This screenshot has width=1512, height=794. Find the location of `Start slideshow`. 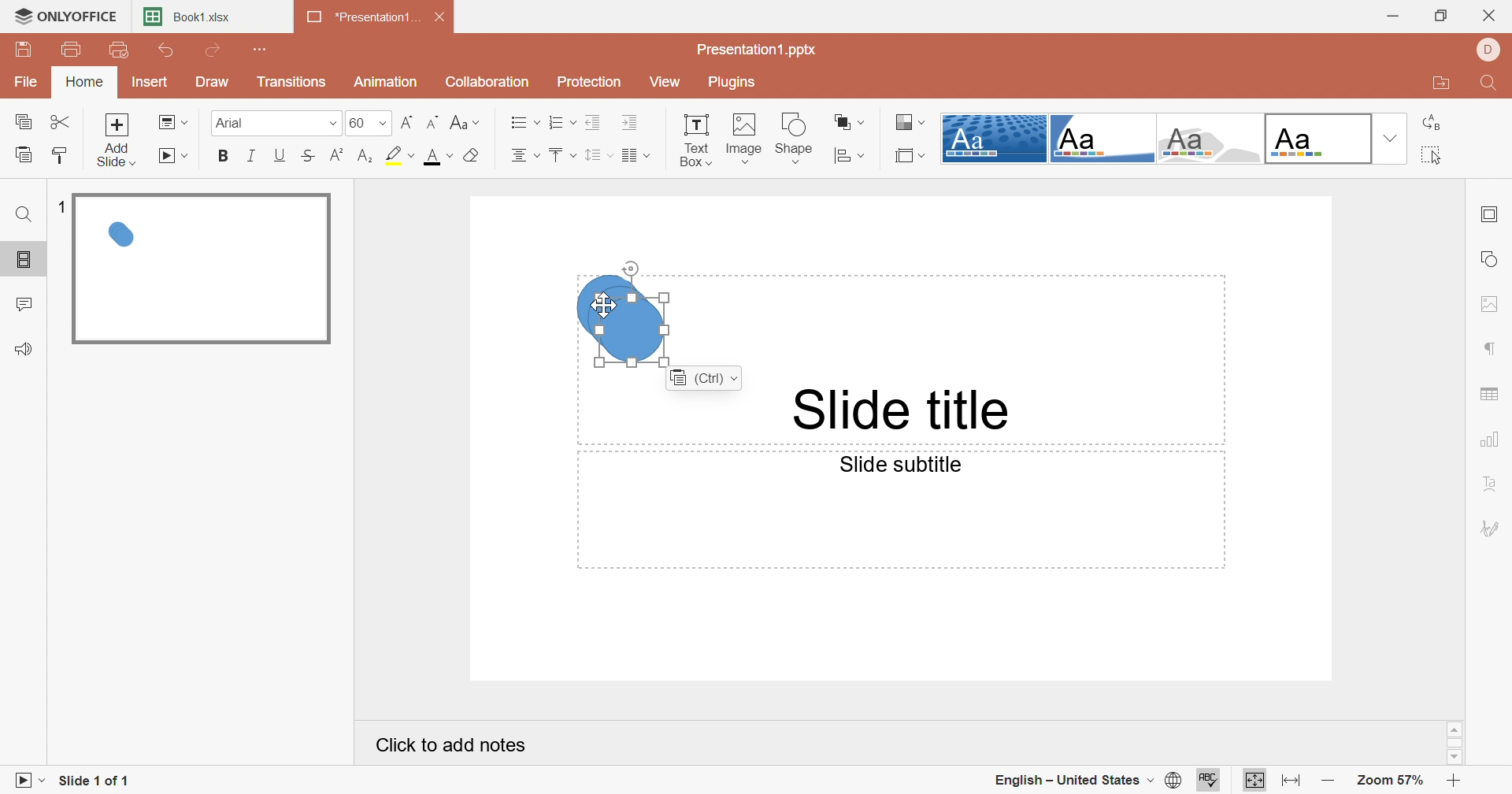

Start slideshow is located at coordinates (175, 156).